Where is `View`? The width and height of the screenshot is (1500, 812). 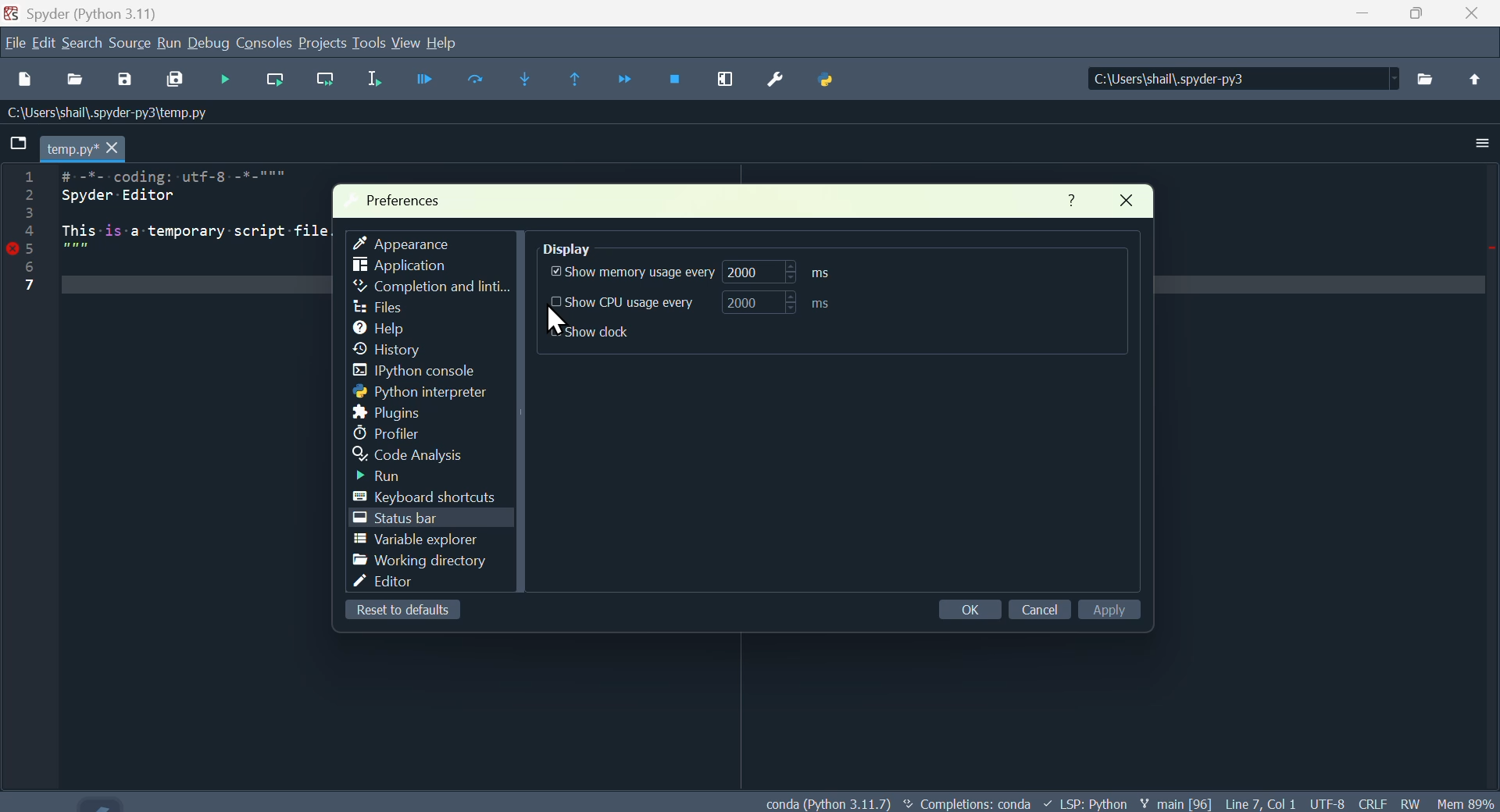 View is located at coordinates (406, 43).